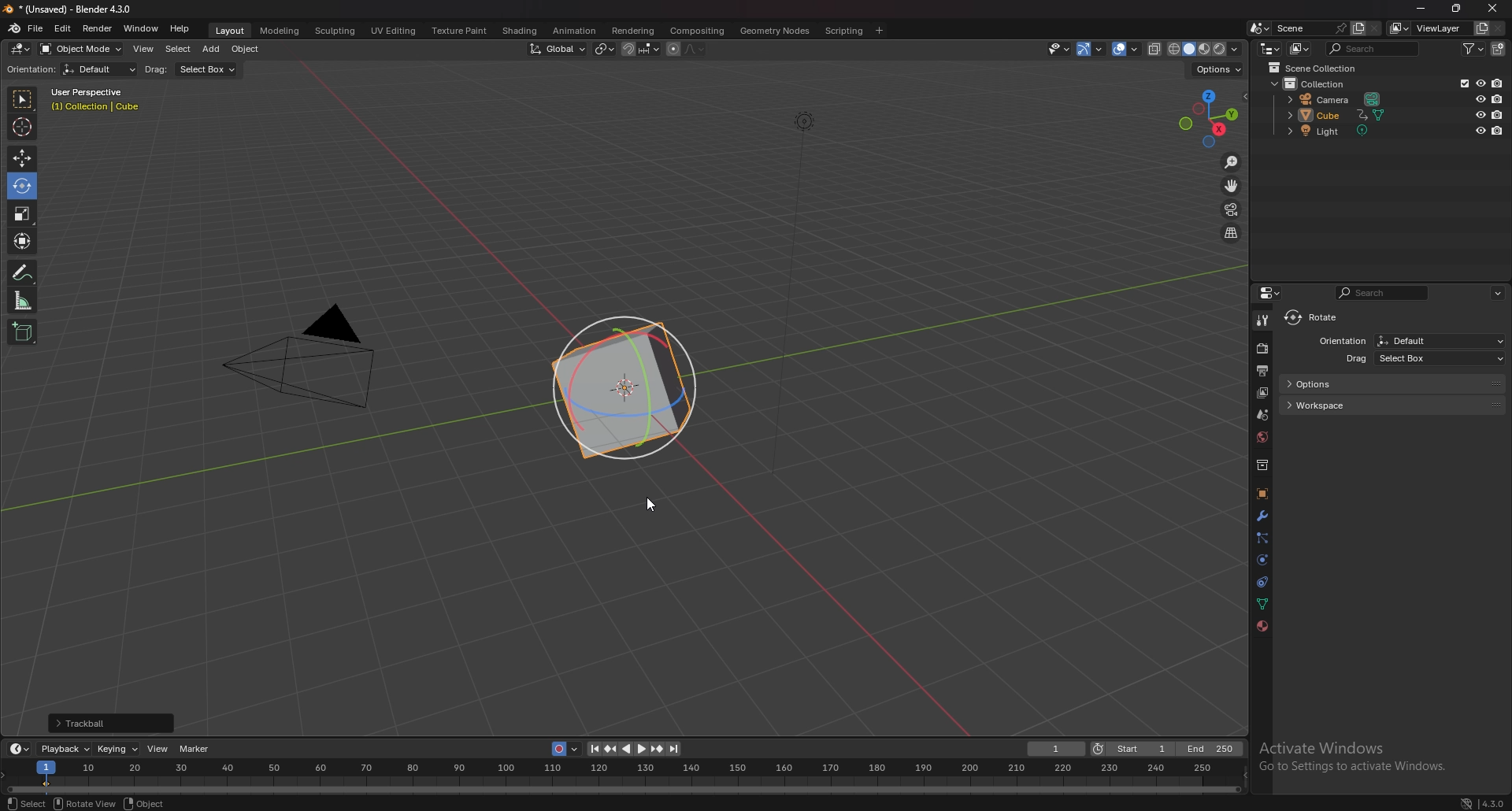 This screenshot has width=1512, height=811. What do you see at coordinates (96, 100) in the screenshot?
I see `User Perspective (1) Collection | Cube` at bounding box center [96, 100].